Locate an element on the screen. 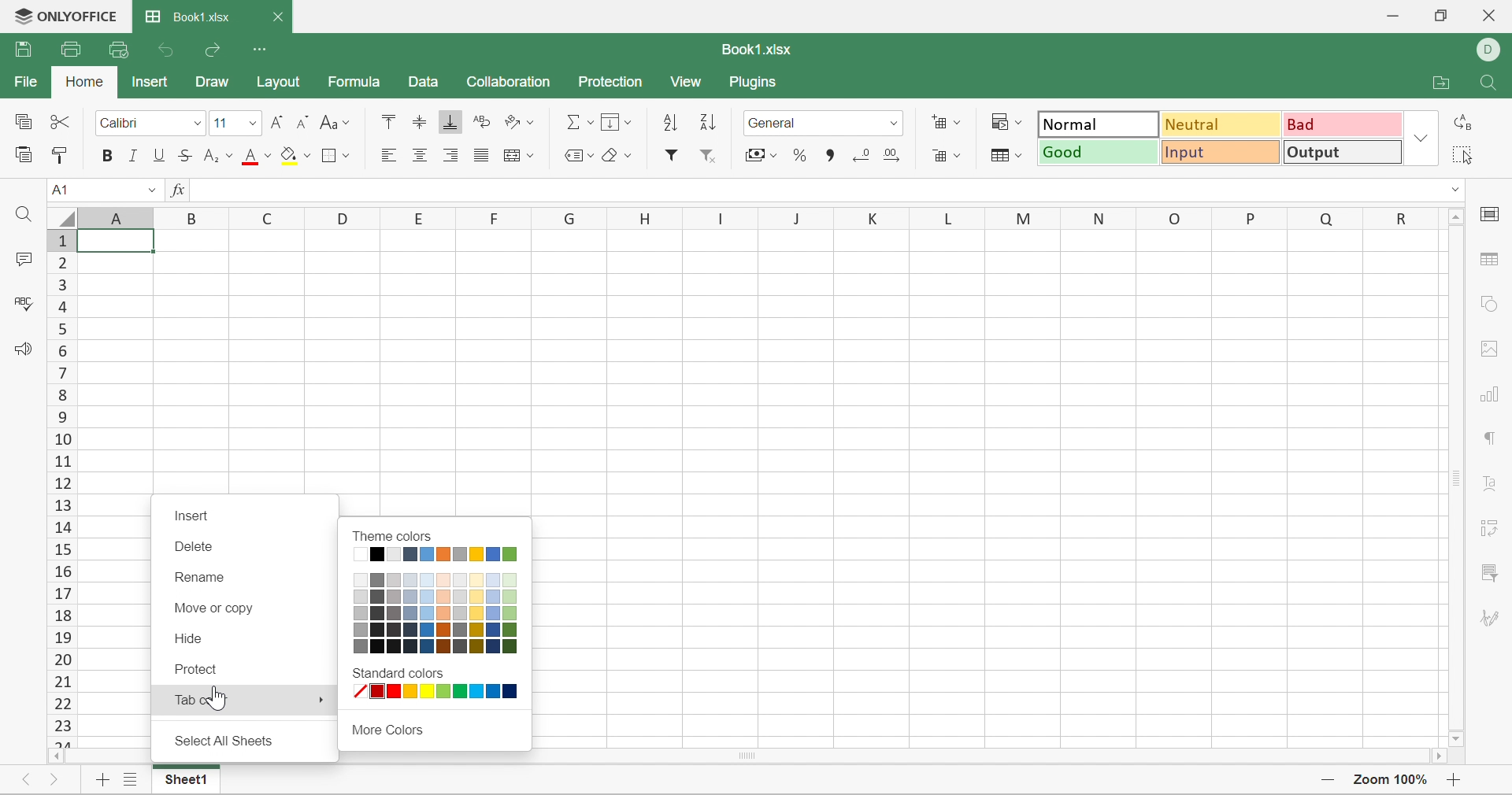 The height and width of the screenshot is (795, 1512). Previous is located at coordinates (29, 780).